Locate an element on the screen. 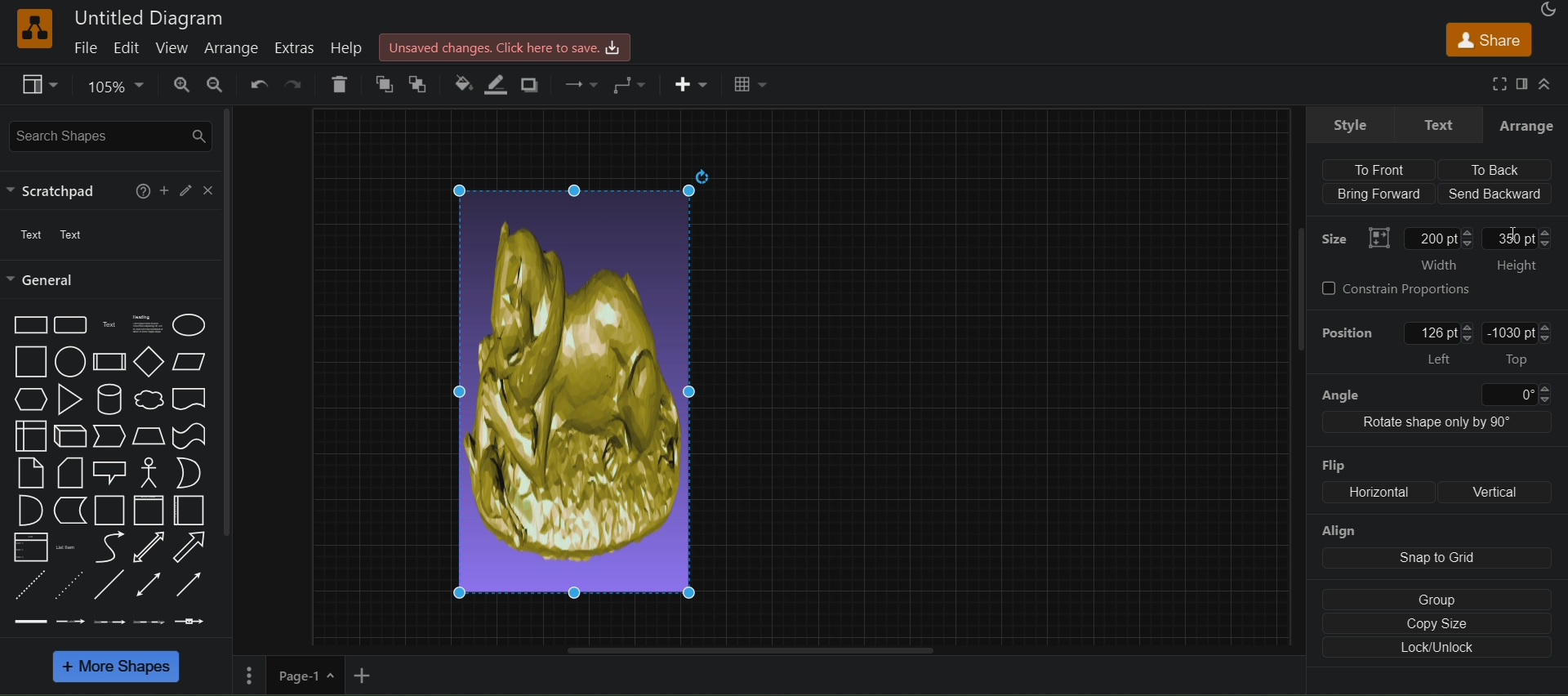 The image size is (1568, 696). logo is located at coordinates (33, 29).